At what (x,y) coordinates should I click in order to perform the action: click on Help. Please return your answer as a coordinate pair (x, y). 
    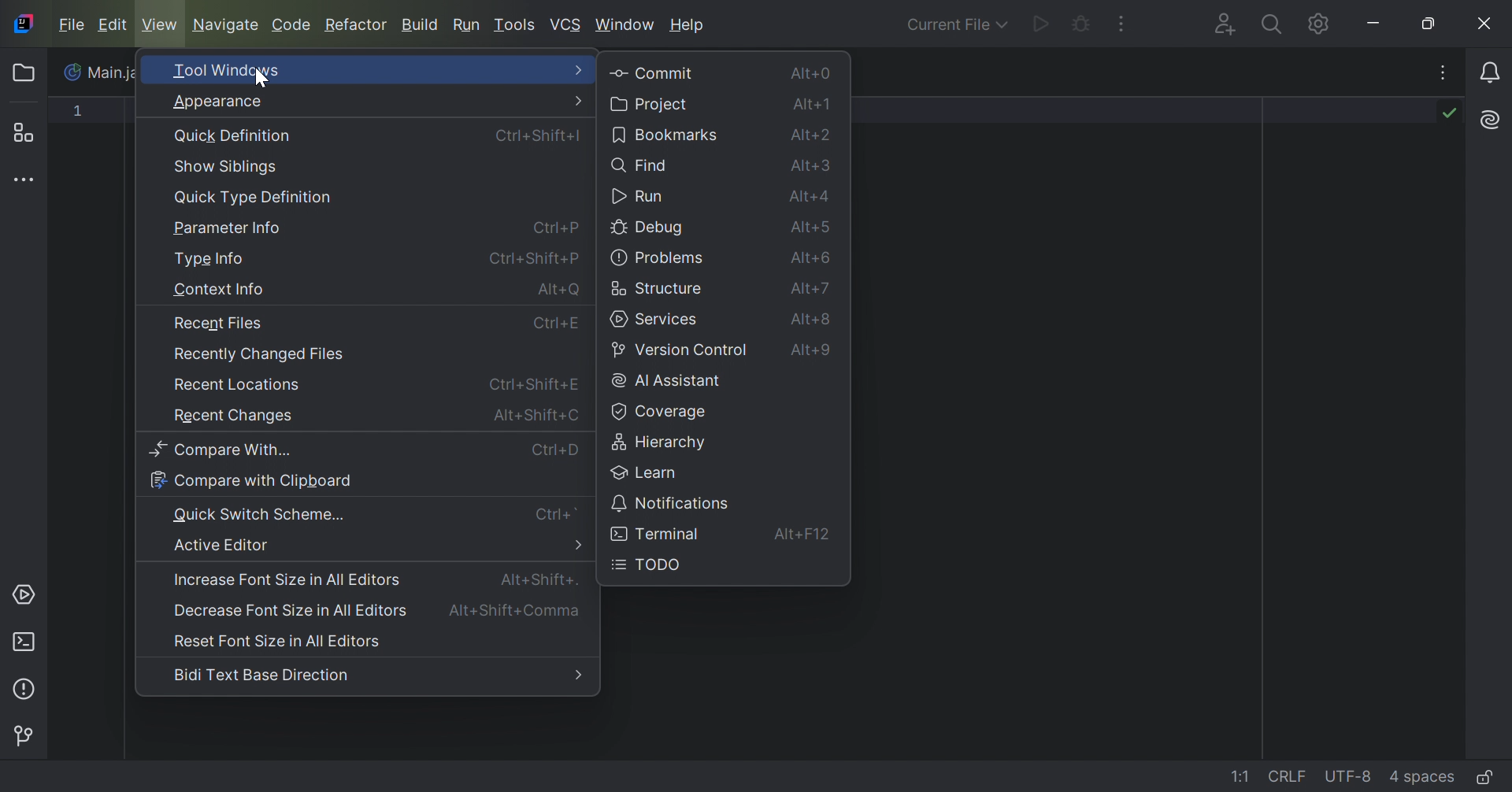
    Looking at the image, I should click on (689, 25).